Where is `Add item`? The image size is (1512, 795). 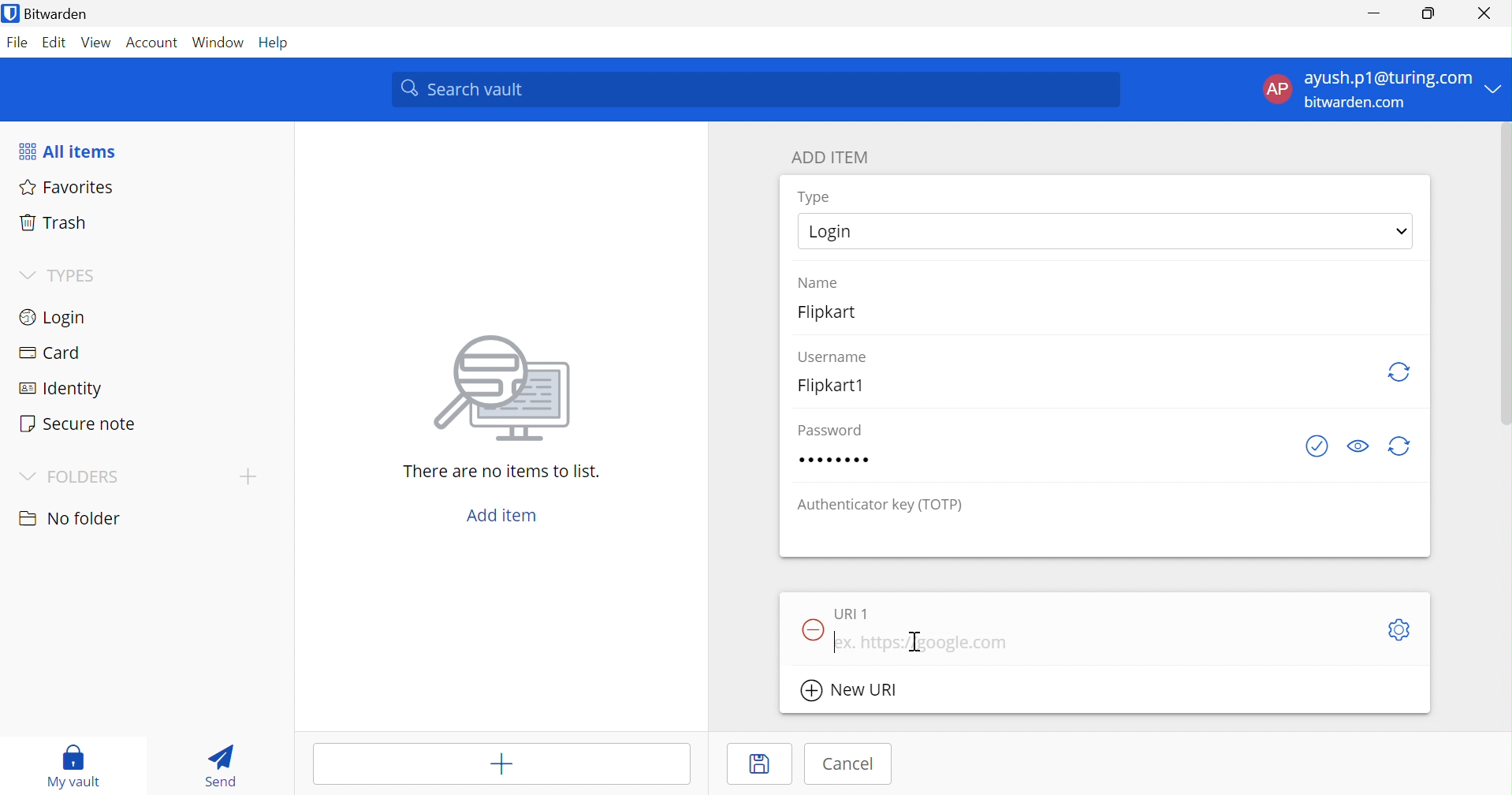
Add item is located at coordinates (503, 516).